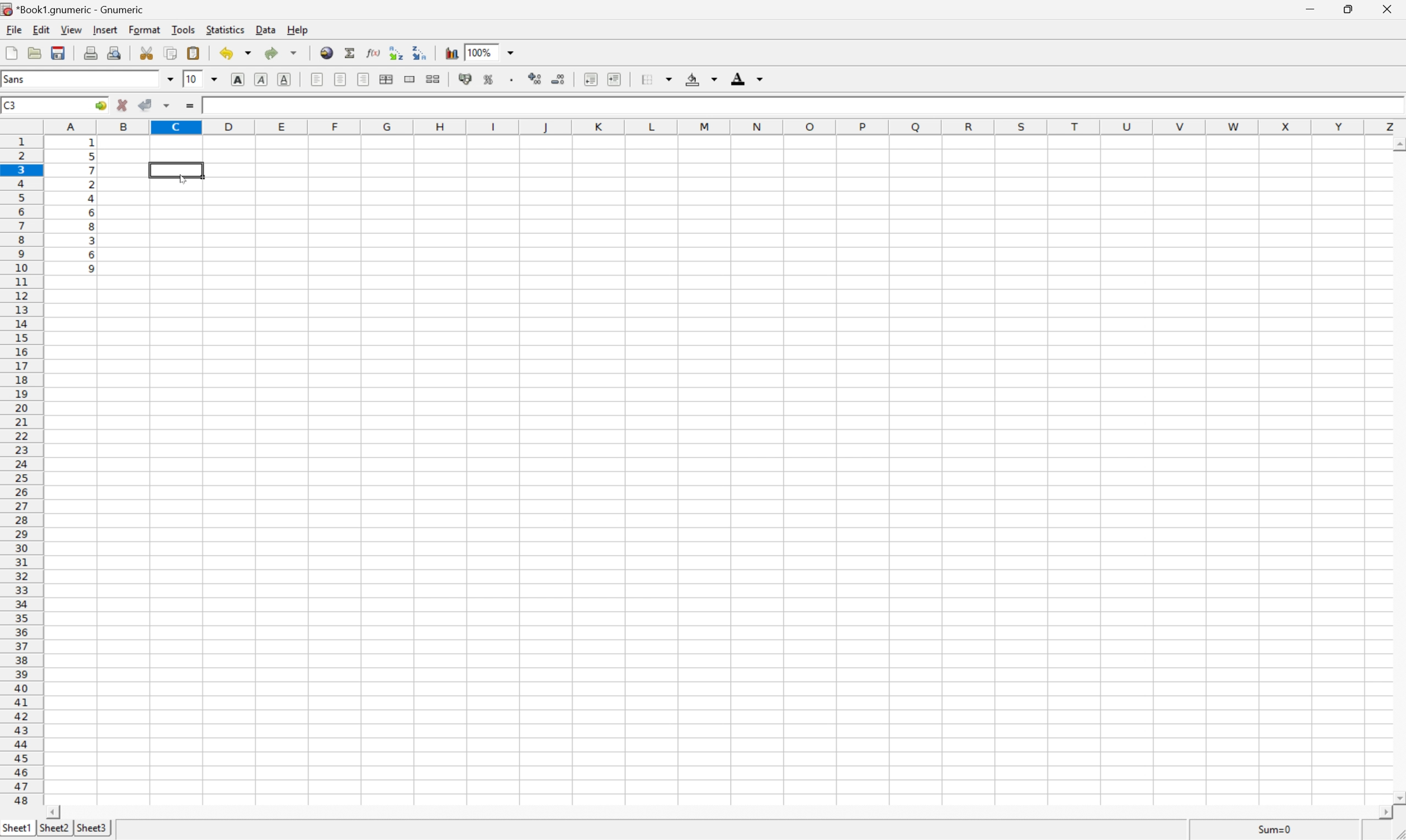 Image resolution: width=1406 pixels, height=840 pixels. Describe the element at coordinates (92, 826) in the screenshot. I see `sheet3` at that location.